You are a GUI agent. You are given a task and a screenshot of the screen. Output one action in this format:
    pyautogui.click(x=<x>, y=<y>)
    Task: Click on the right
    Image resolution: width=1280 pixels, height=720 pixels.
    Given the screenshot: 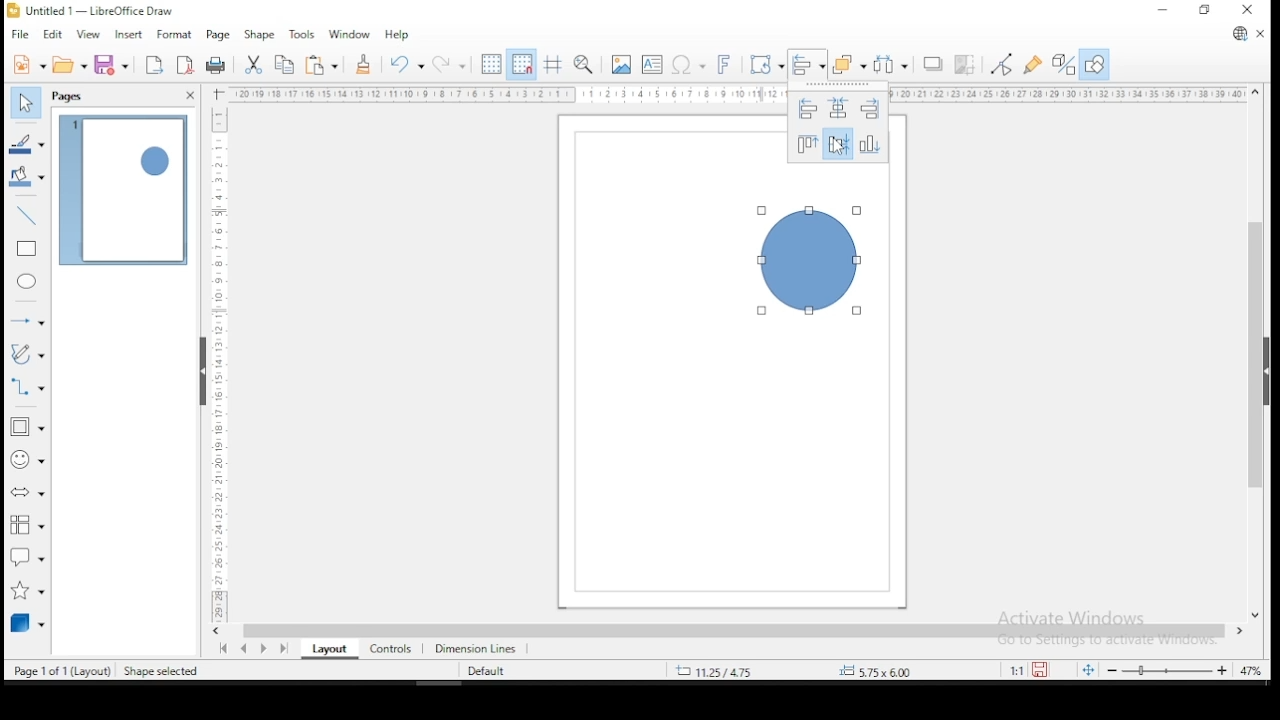 What is the action you would take?
    pyautogui.click(x=871, y=111)
    